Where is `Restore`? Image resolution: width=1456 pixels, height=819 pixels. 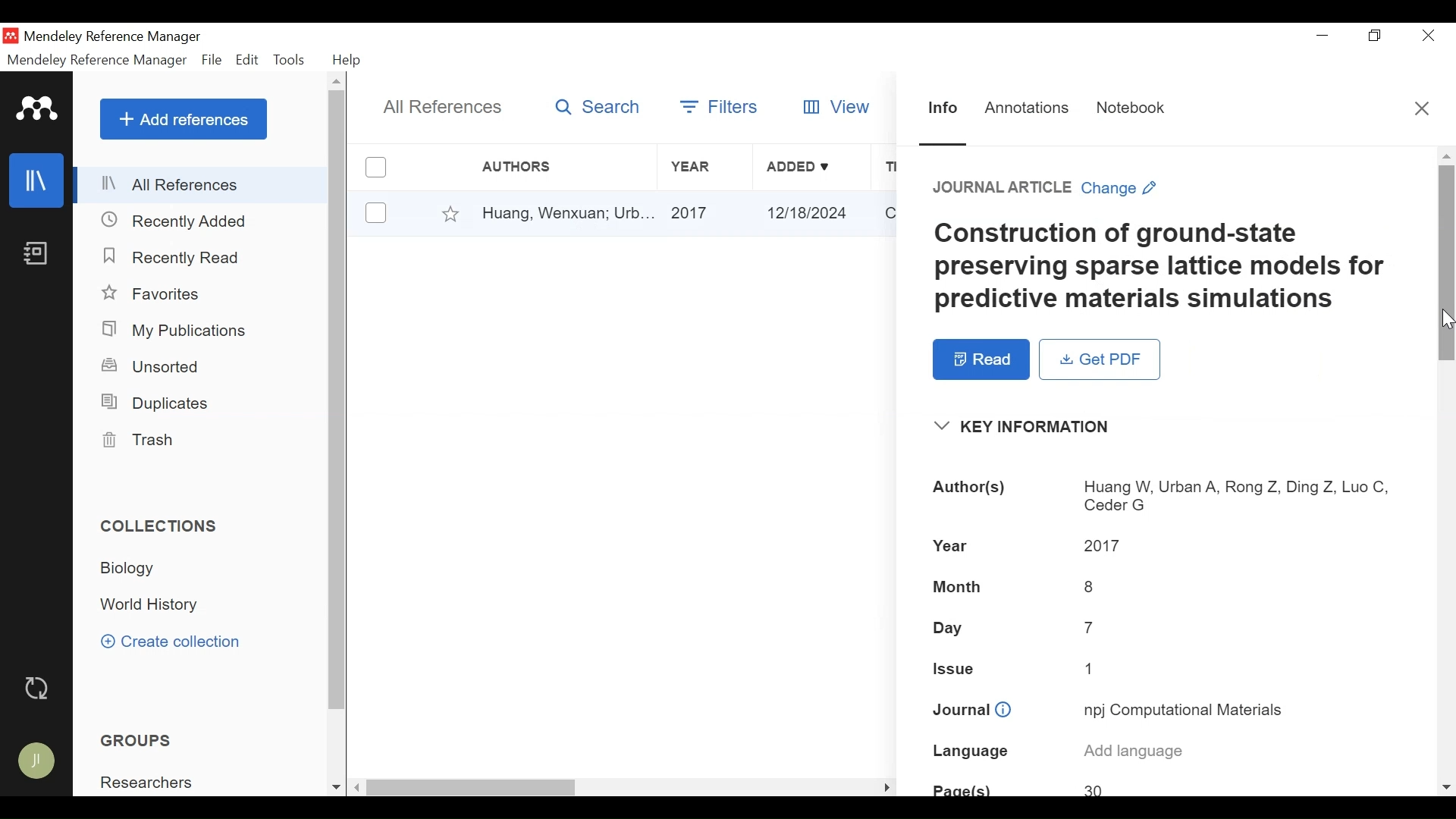 Restore is located at coordinates (1373, 35).